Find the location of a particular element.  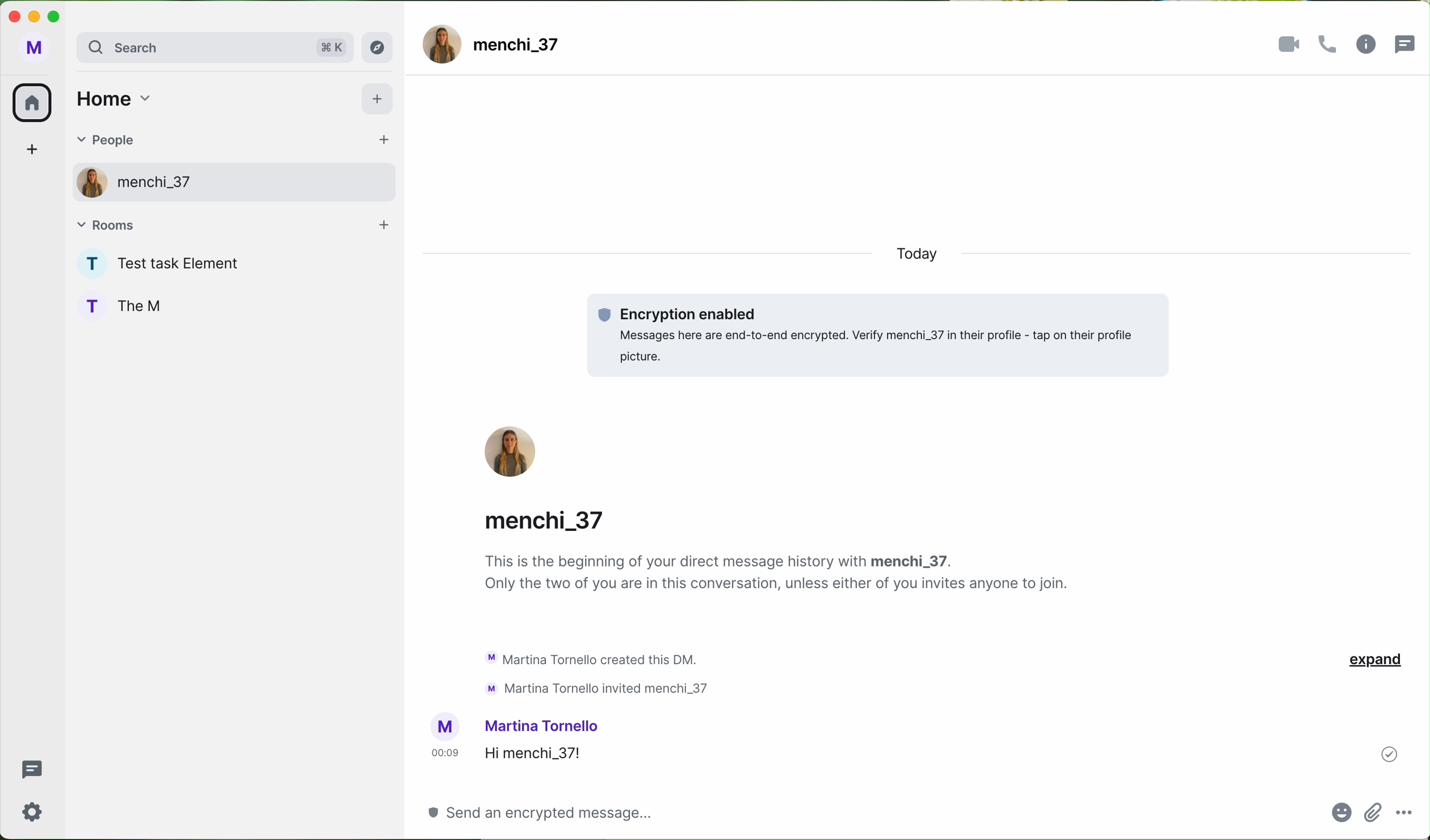

click on a space for message is located at coordinates (541, 815).